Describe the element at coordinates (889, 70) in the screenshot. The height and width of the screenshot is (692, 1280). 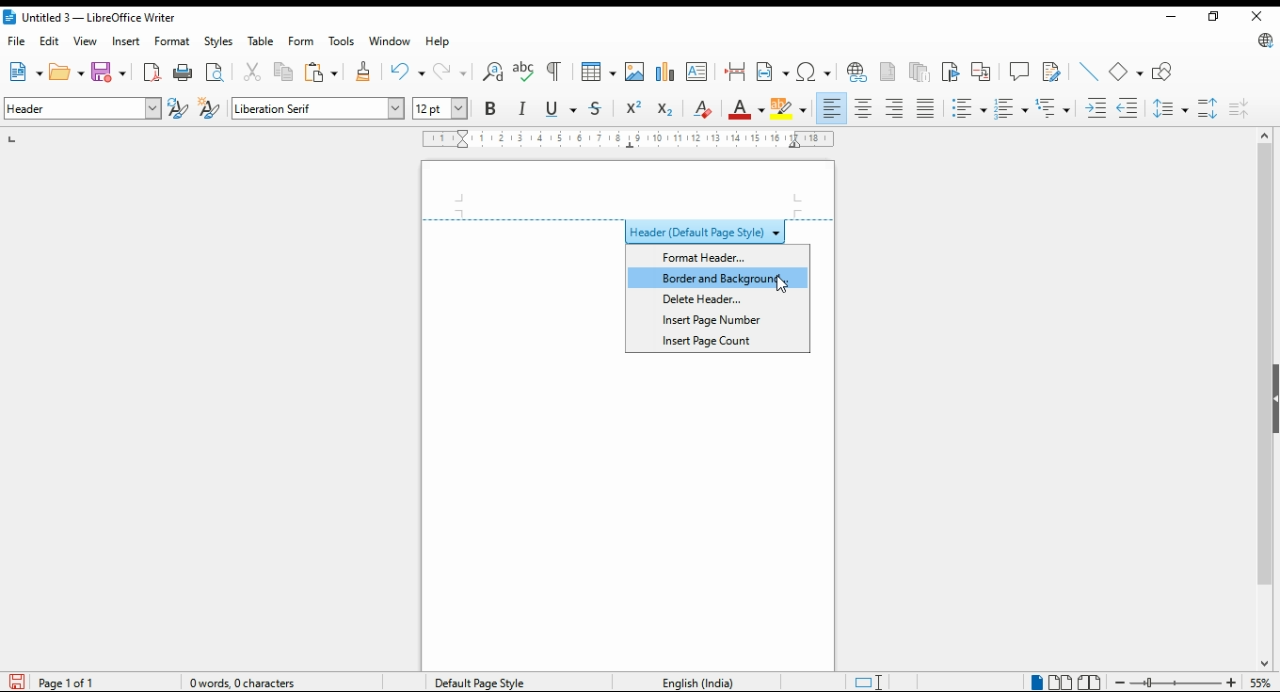
I see `insert footnote` at that location.